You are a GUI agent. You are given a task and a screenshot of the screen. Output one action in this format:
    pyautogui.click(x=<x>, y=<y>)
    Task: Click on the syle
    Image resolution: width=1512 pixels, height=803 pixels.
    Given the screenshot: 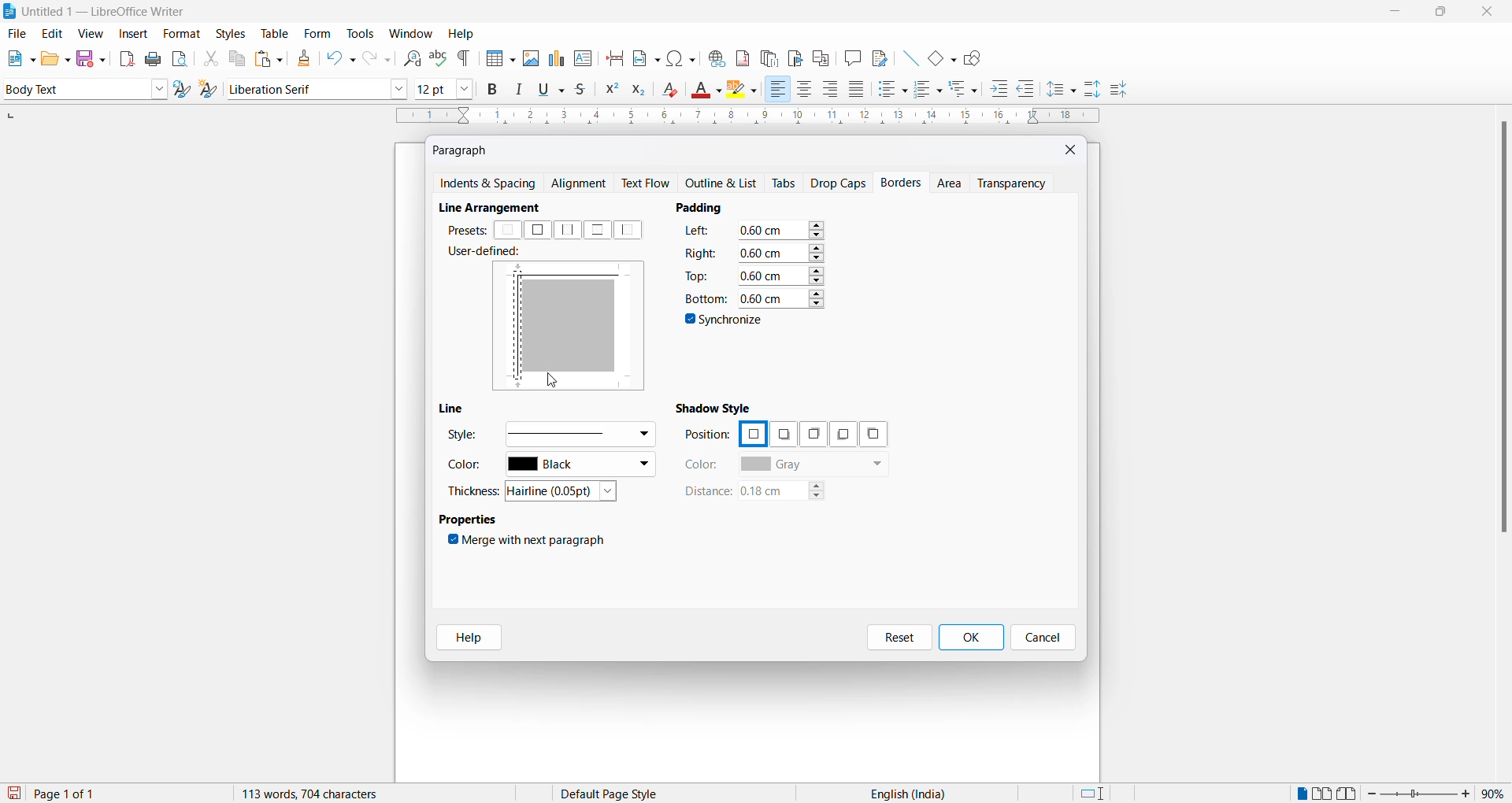 What is the action you would take?
    pyautogui.click(x=462, y=437)
    